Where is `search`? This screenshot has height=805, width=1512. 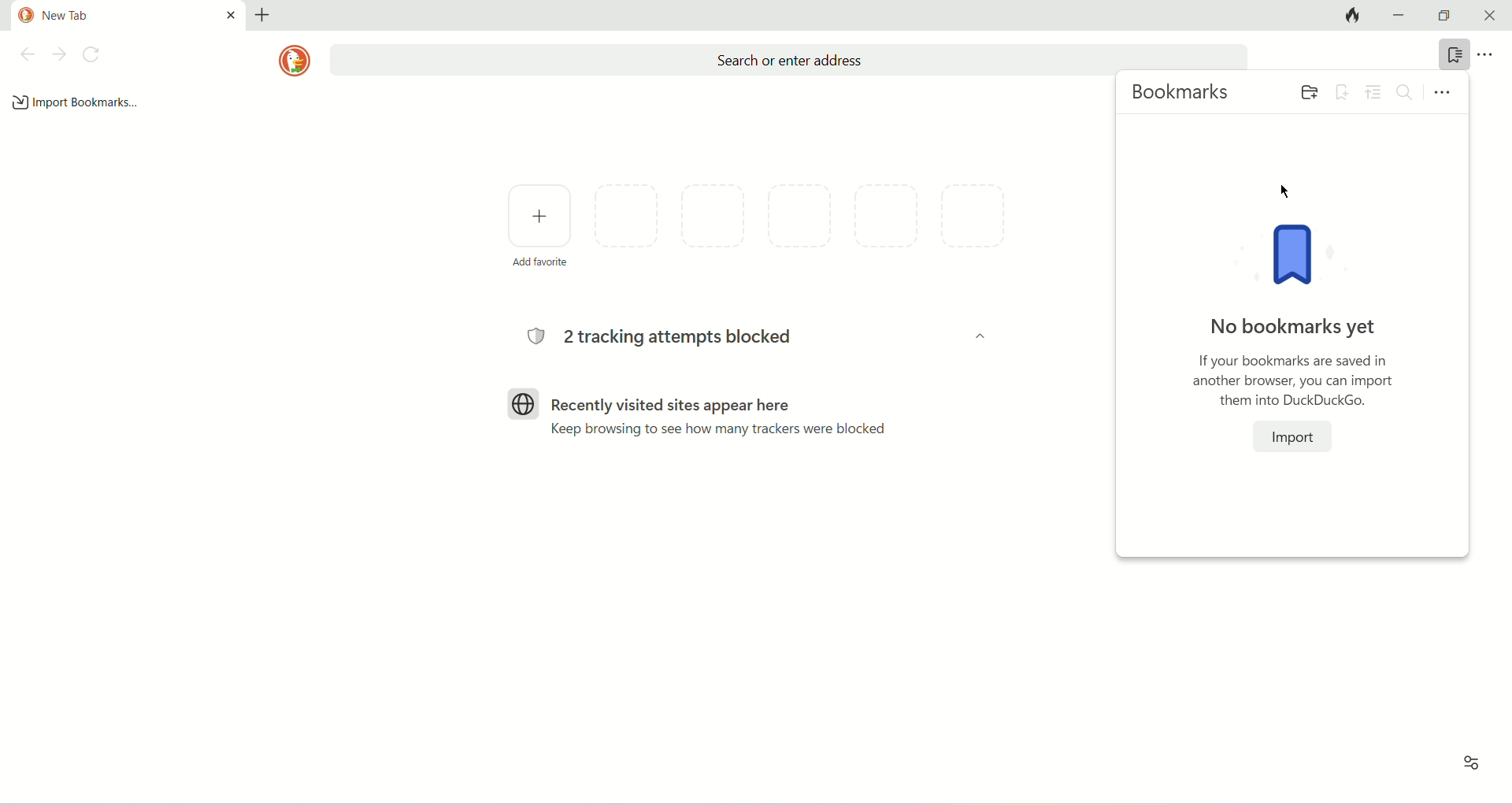 search is located at coordinates (1407, 92).